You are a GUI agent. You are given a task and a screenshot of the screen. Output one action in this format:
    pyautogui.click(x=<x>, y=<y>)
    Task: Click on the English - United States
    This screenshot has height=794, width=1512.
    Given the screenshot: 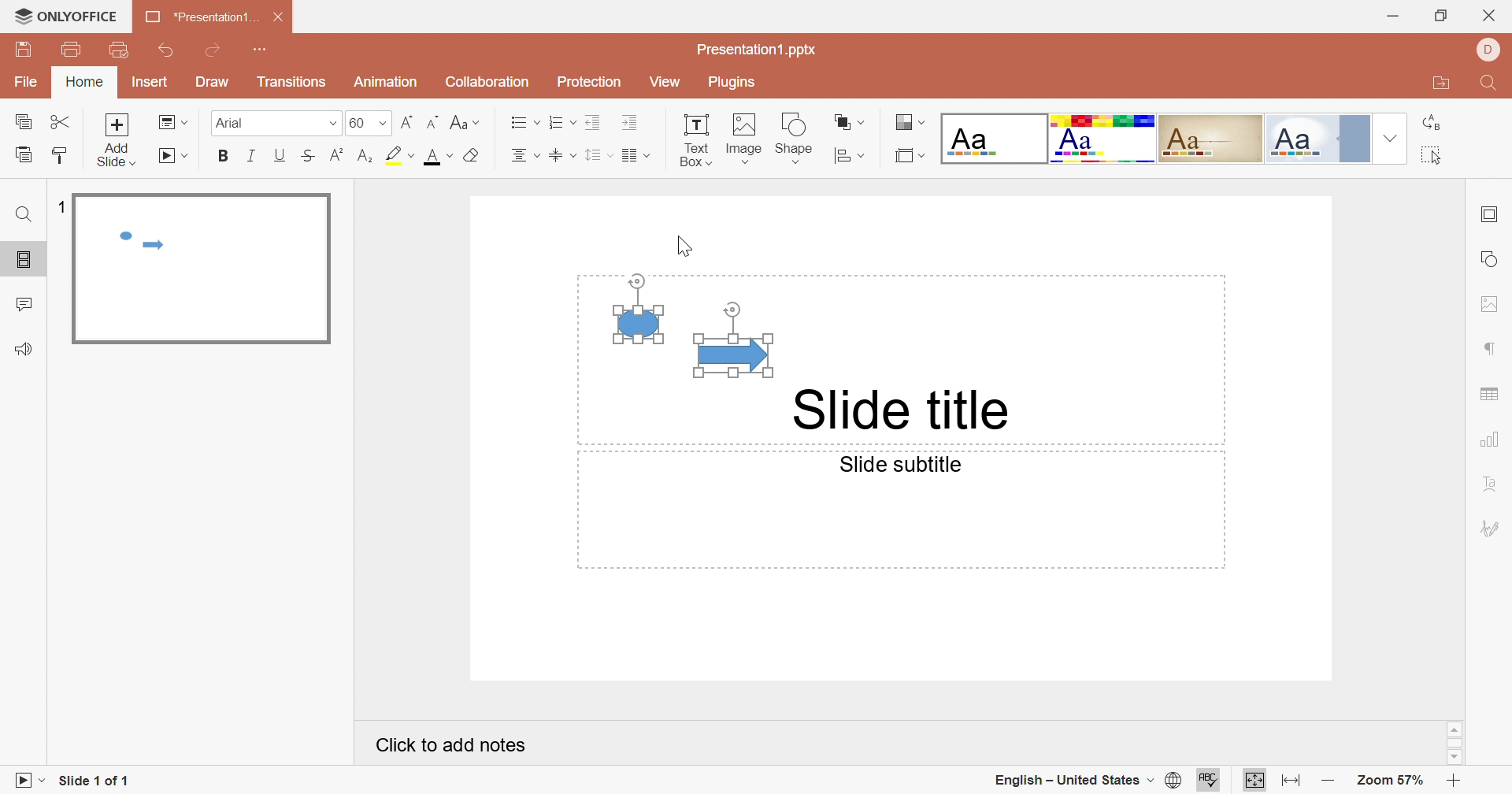 What is the action you would take?
    pyautogui.click(x=1069, y=779)
    